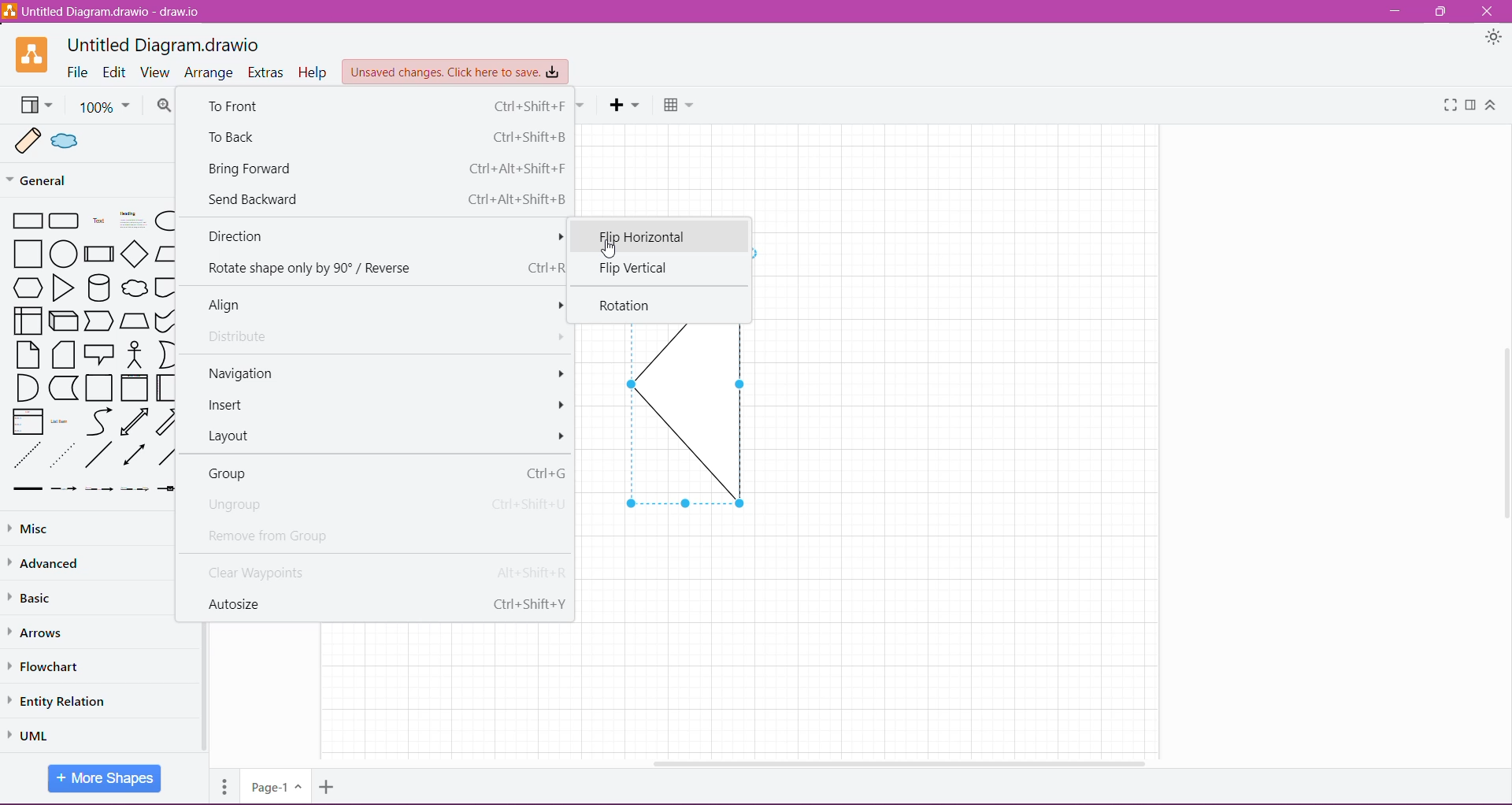 The image size is (1512, 805). Describe the element at coordinates (1443, 11) in the screenshot. I see `Restore Down` at that location.